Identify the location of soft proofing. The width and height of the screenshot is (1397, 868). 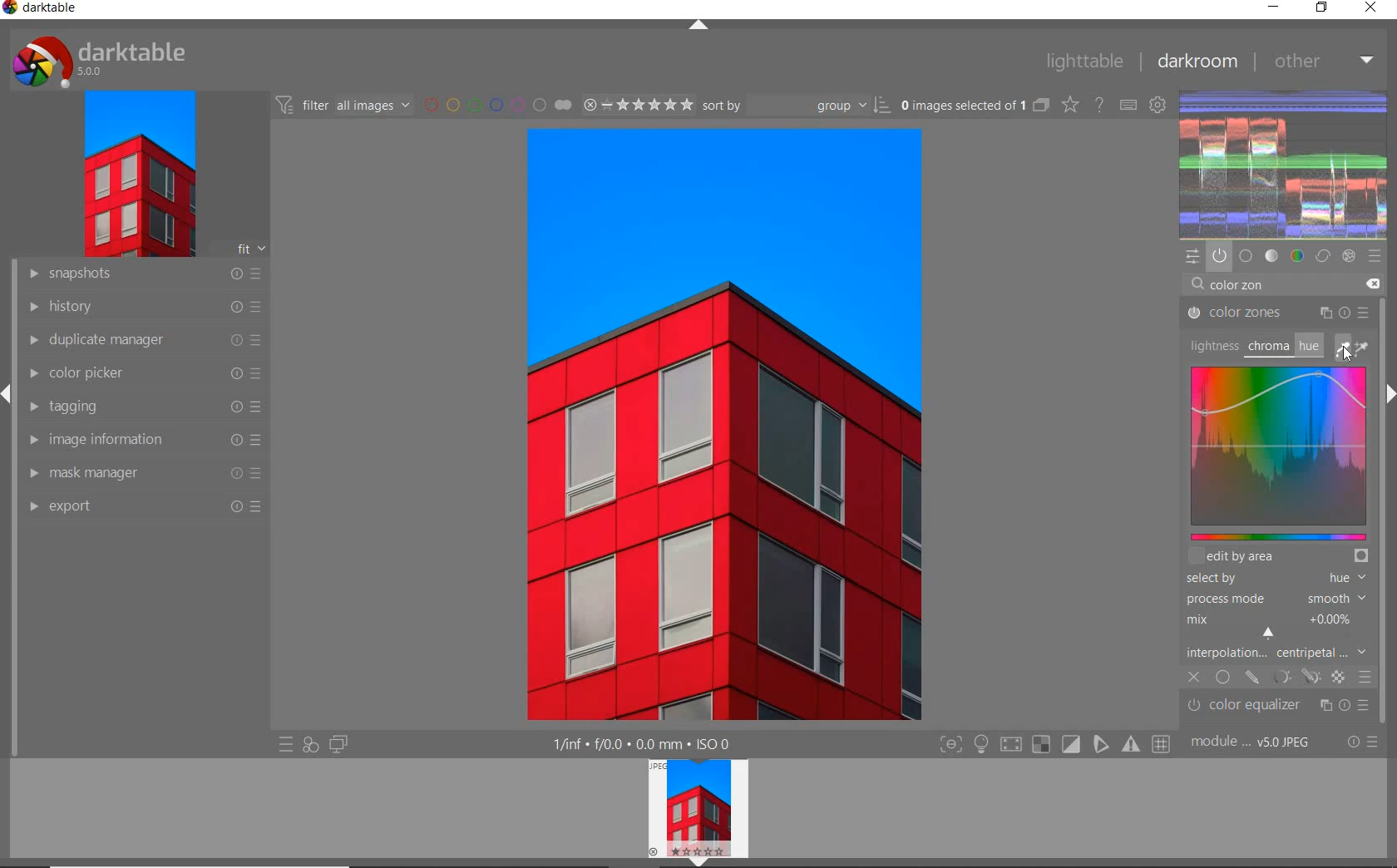
(1072, 744).